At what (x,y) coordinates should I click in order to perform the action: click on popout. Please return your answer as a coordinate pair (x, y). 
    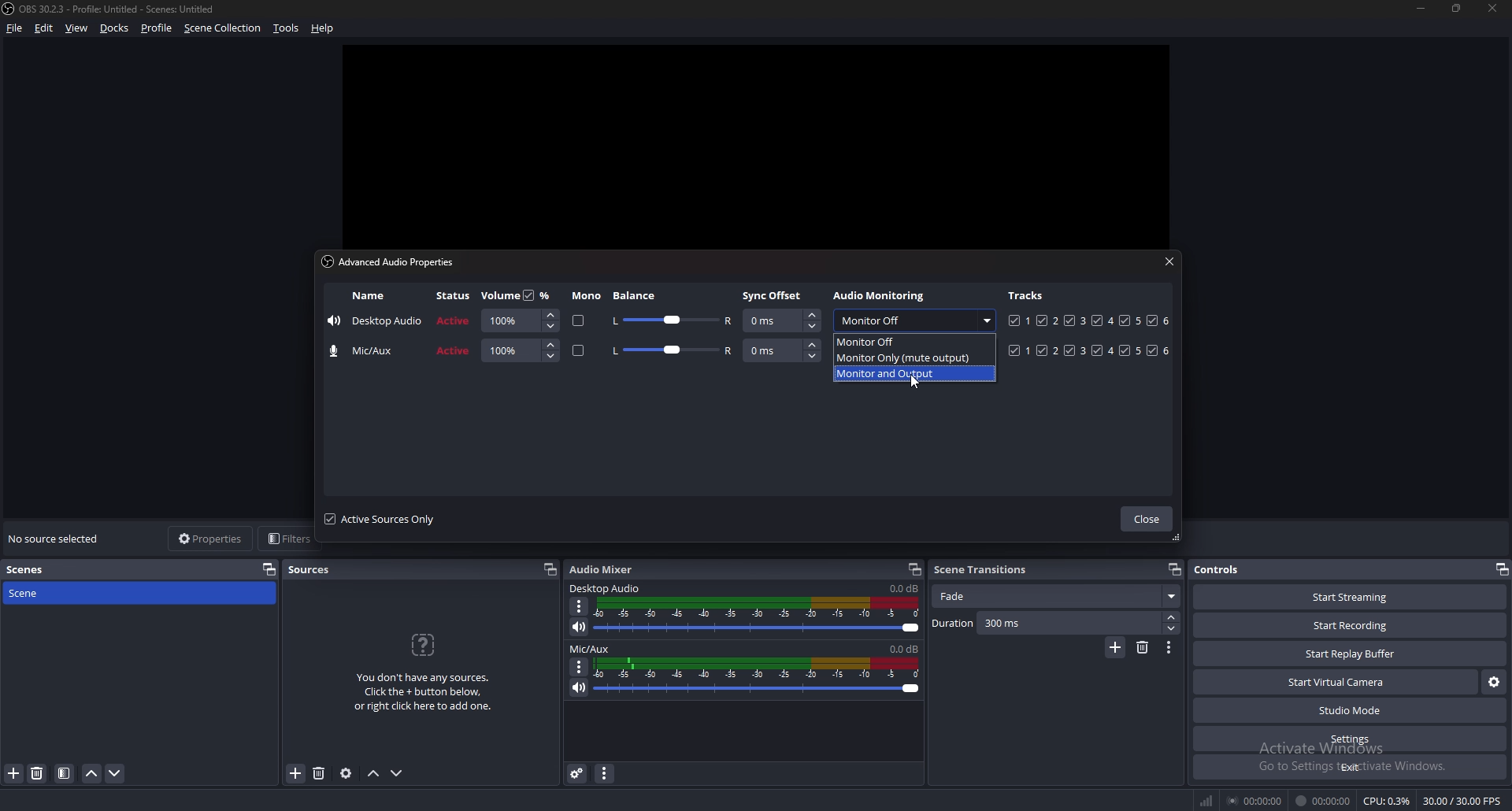
    Looking at the image, I should click on (548, 570).